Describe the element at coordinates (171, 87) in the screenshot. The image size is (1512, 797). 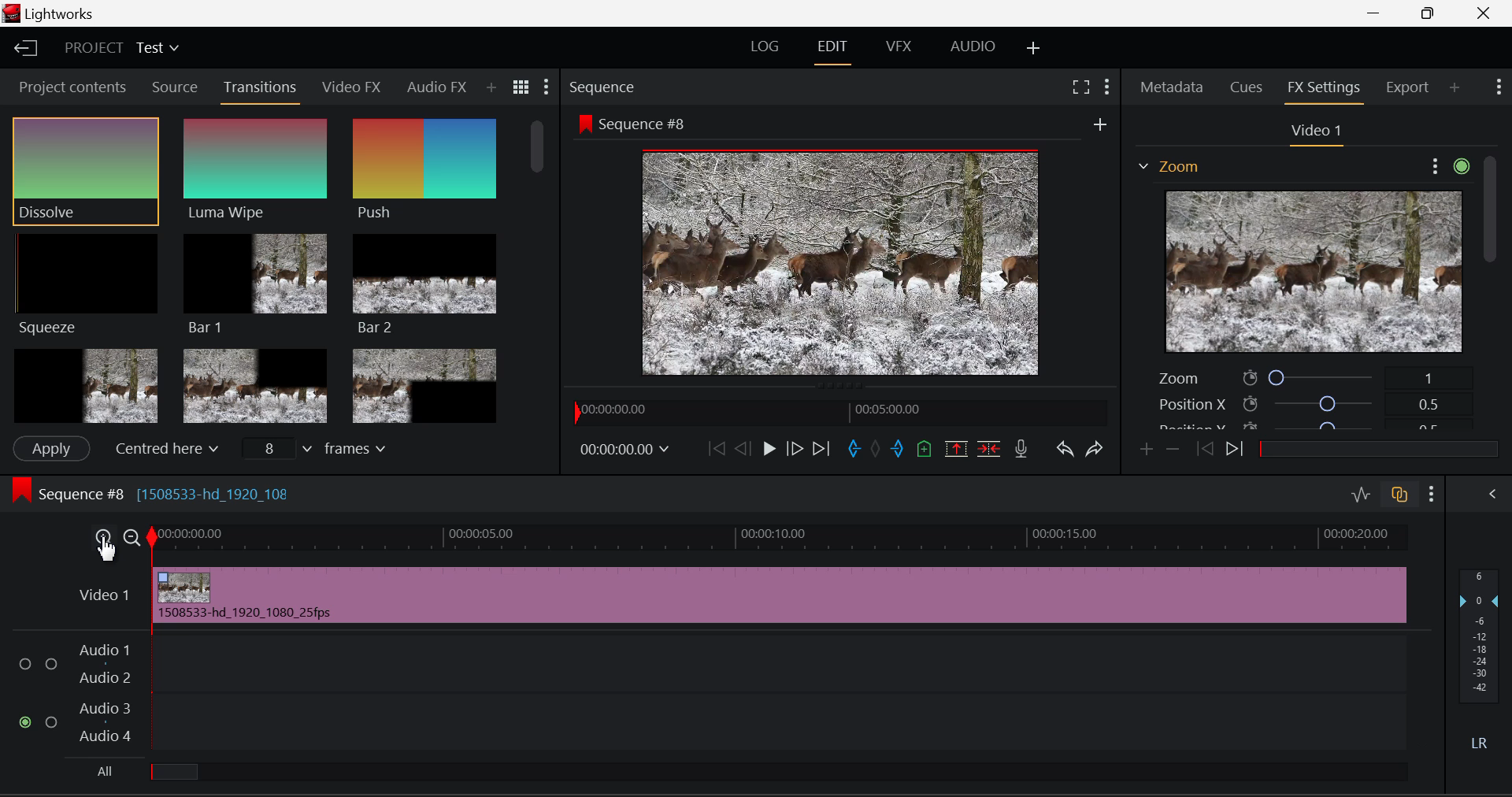
I see `Source` at that location.